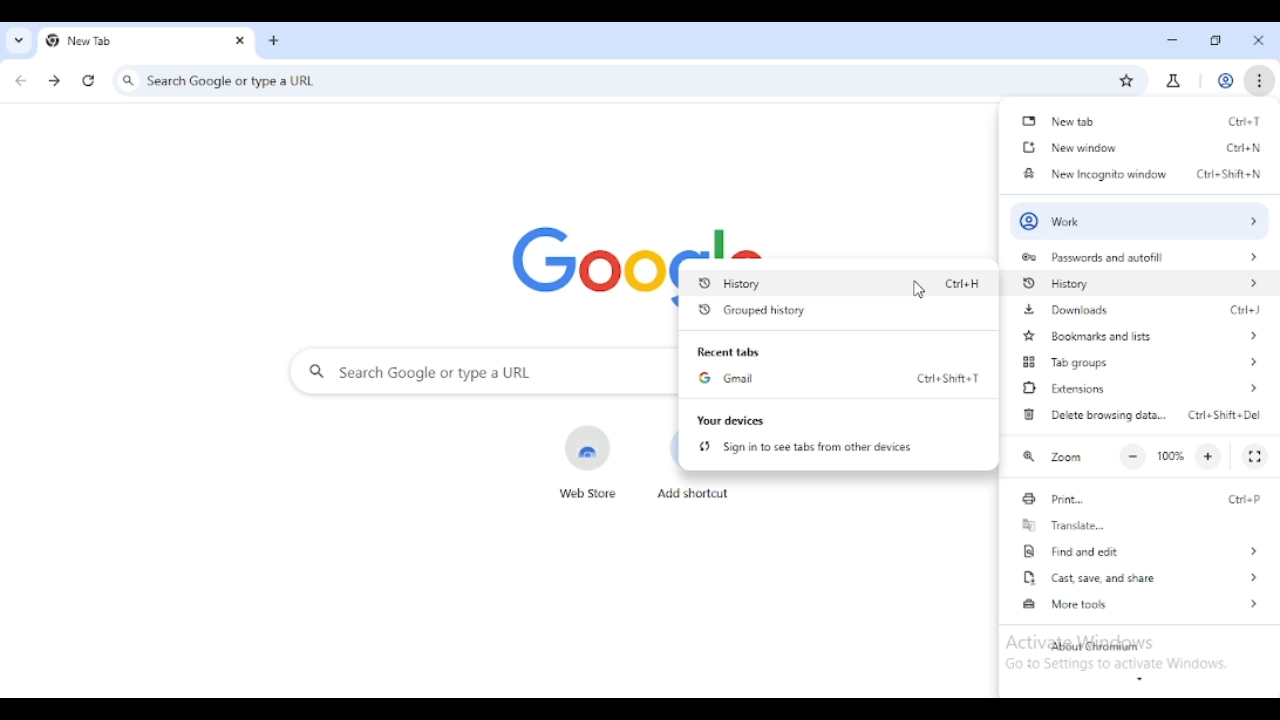 This screenshot has width=1280, height=720. Describe the element at coordinates (1138, 603) in the screenshot. I see `more tools` at that location.